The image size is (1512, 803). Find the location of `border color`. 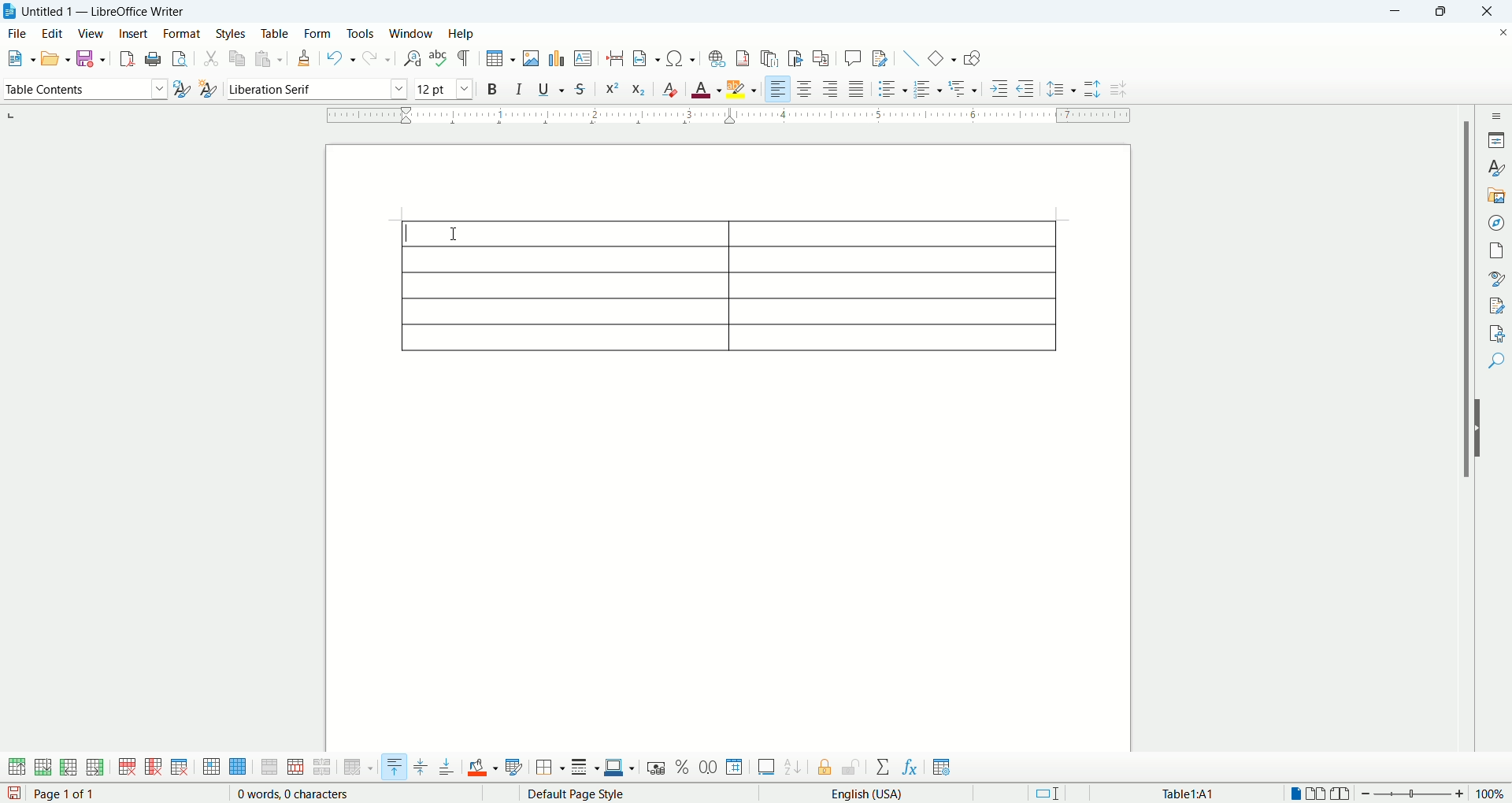

border color is located at coordinates (621, 768).